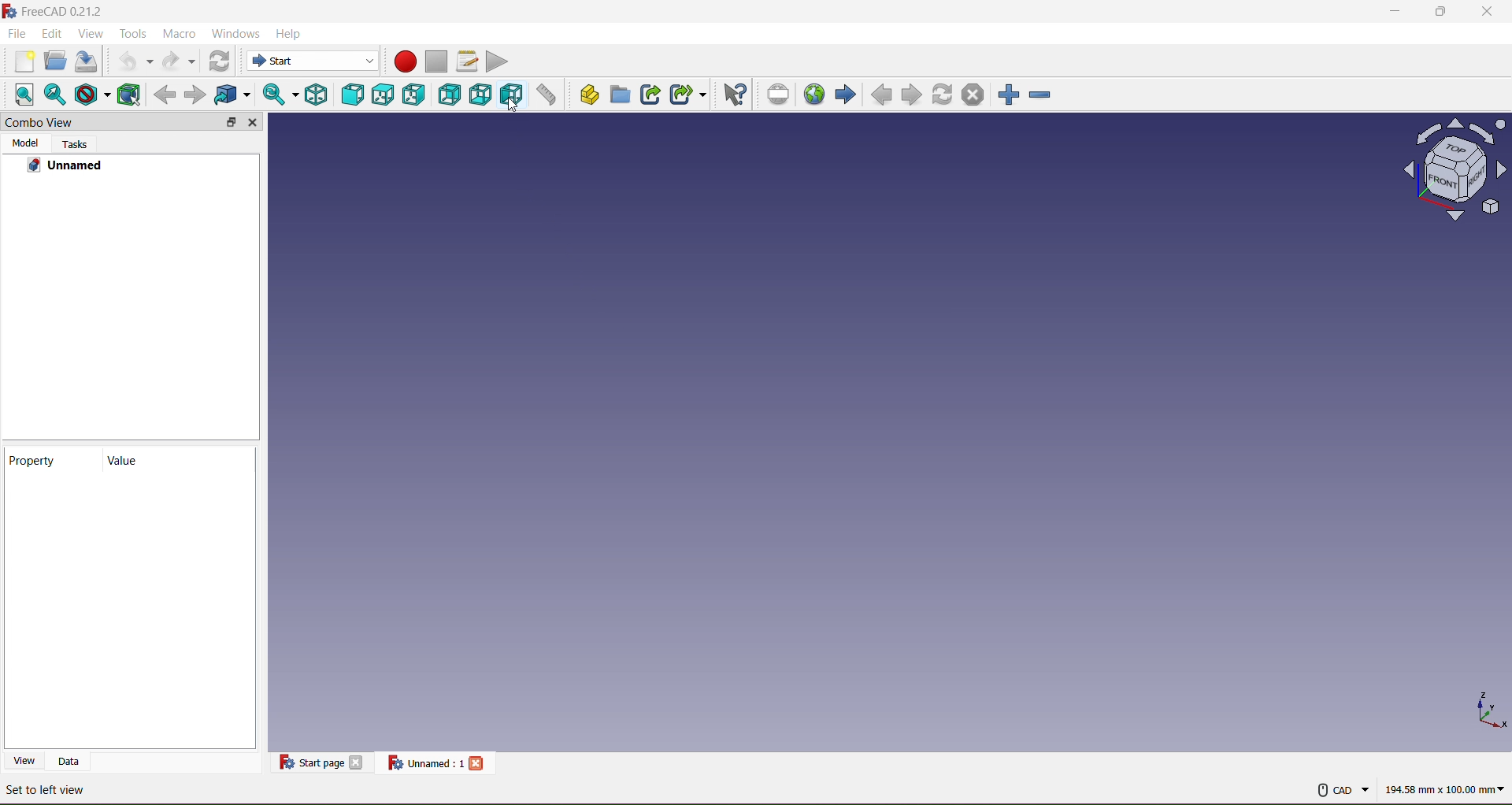 This screenshot has height=805, width=1512. What do you see at coordinates (232, 95) in the screenshot?
I see `Selection Filter` at bounding box center [232, 95].